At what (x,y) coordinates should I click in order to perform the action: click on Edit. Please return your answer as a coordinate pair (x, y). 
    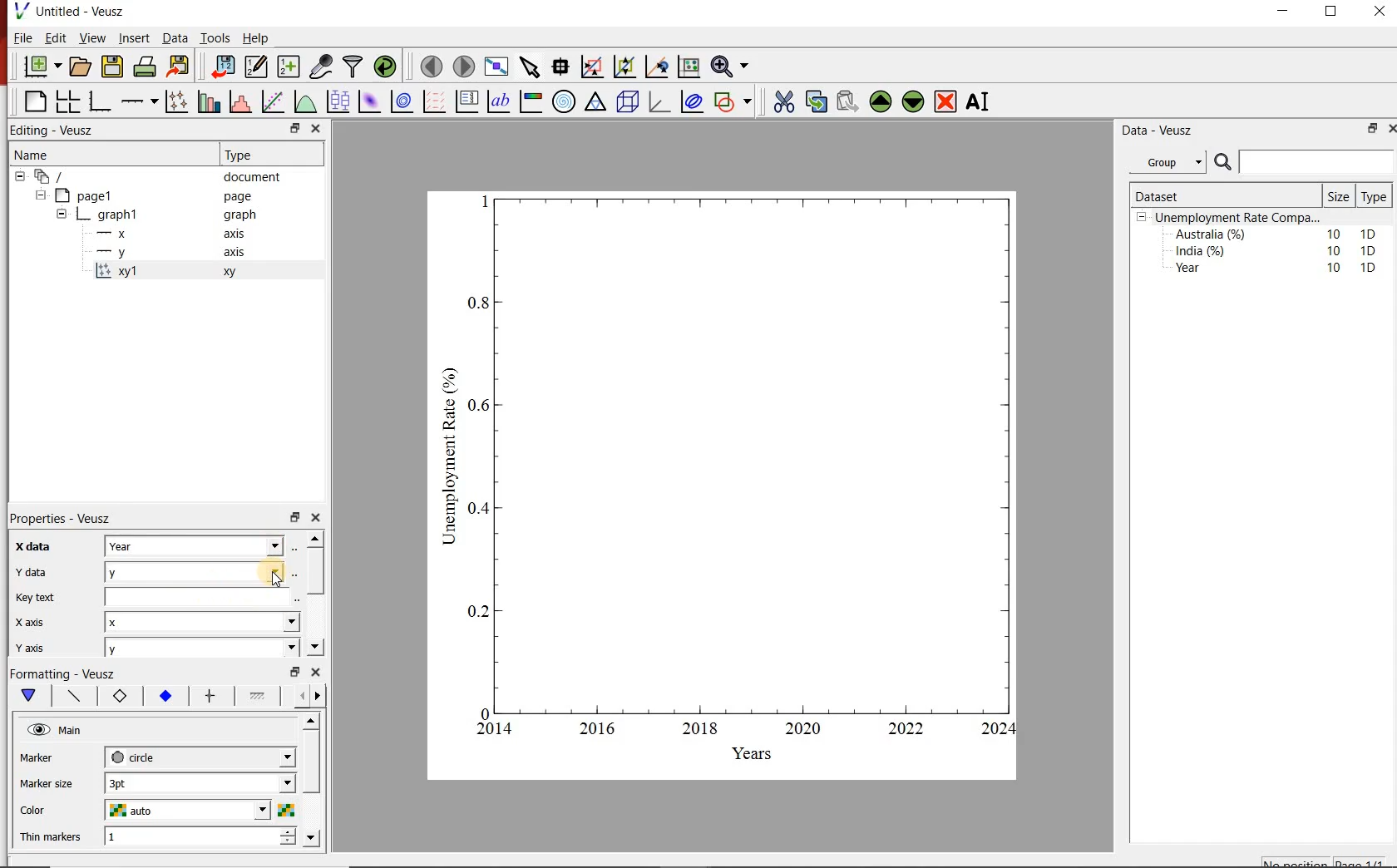
    Looking at the image, I should click on (53, 37).